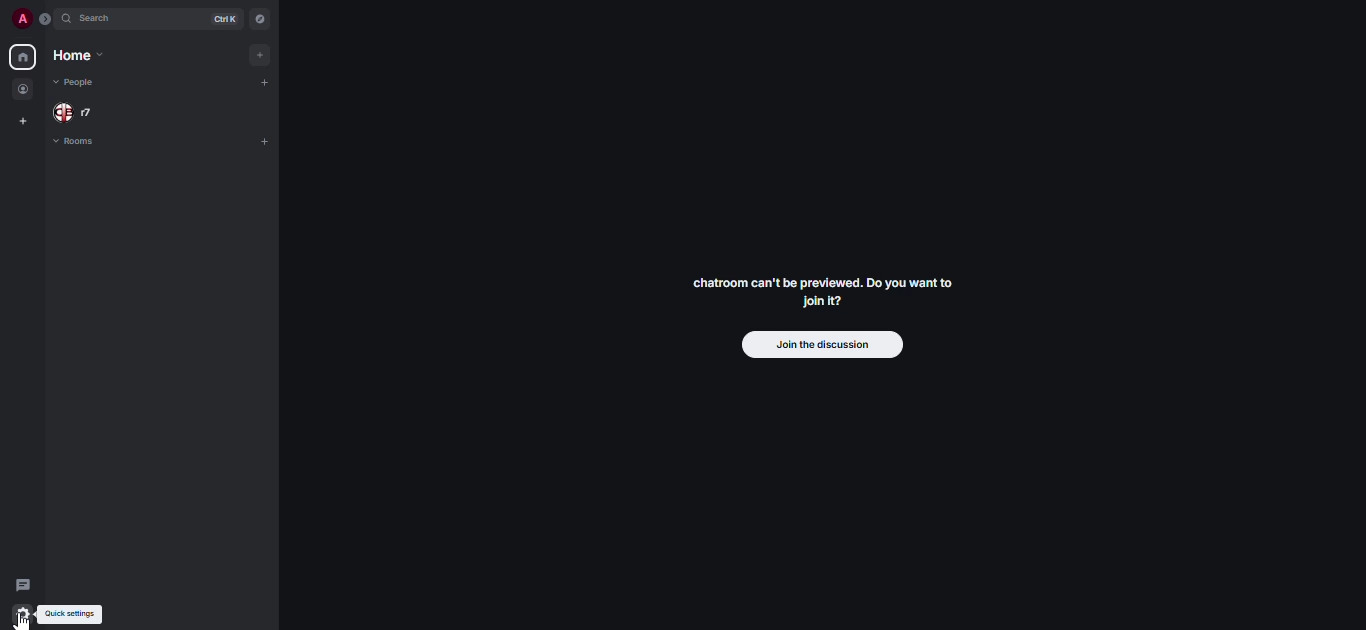 The image size is (1366, 630). What do you see at coordinates (46, 19) in the screenshot?
I see `expand` at bounding box center [46, 19].